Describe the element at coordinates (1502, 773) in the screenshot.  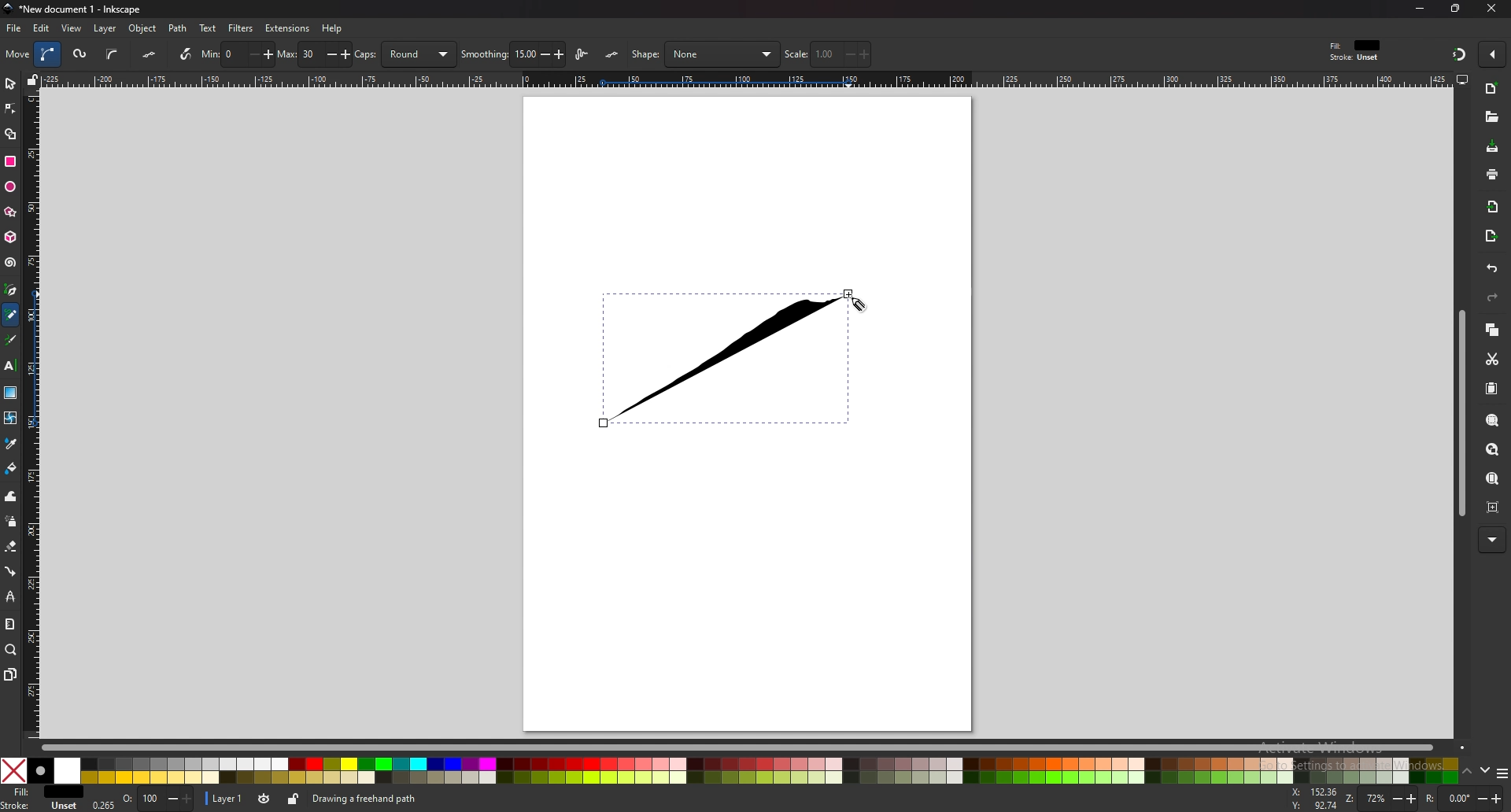
I see `more colors` at that location.